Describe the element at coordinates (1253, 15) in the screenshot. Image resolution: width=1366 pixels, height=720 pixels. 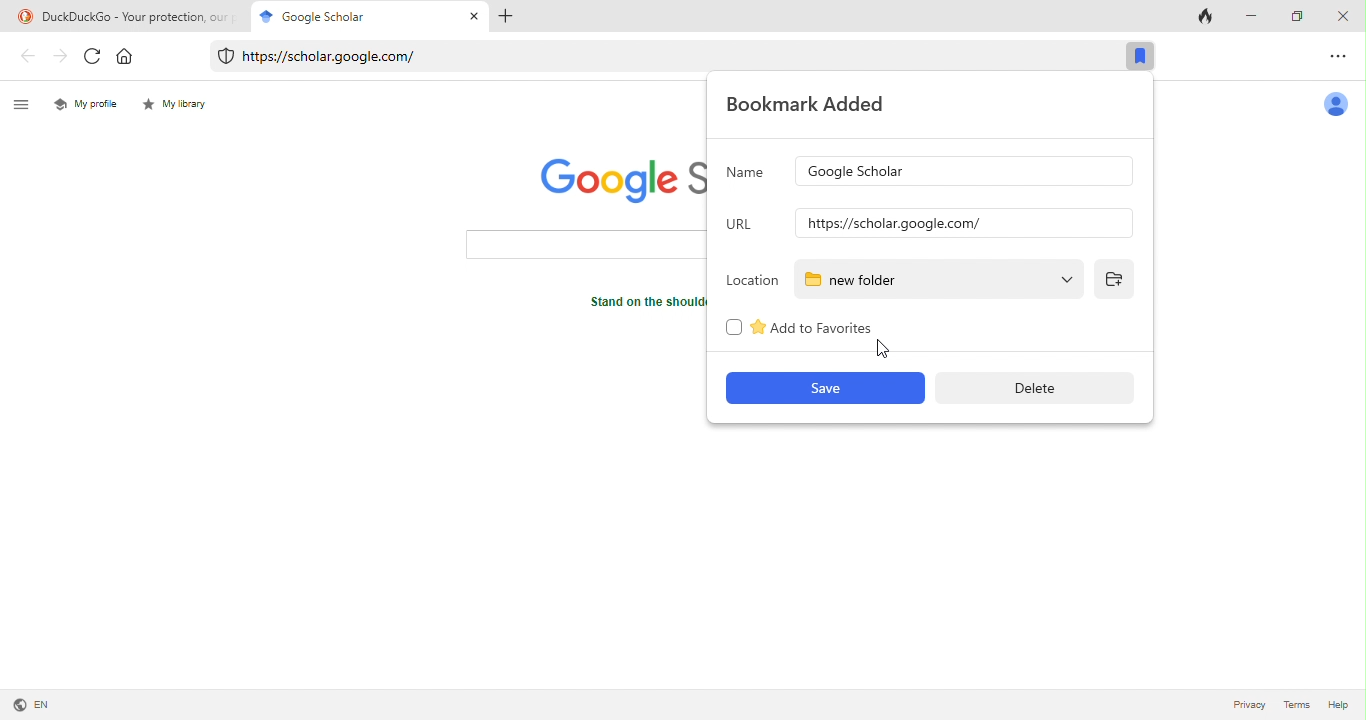
I see `minimize` at that location.